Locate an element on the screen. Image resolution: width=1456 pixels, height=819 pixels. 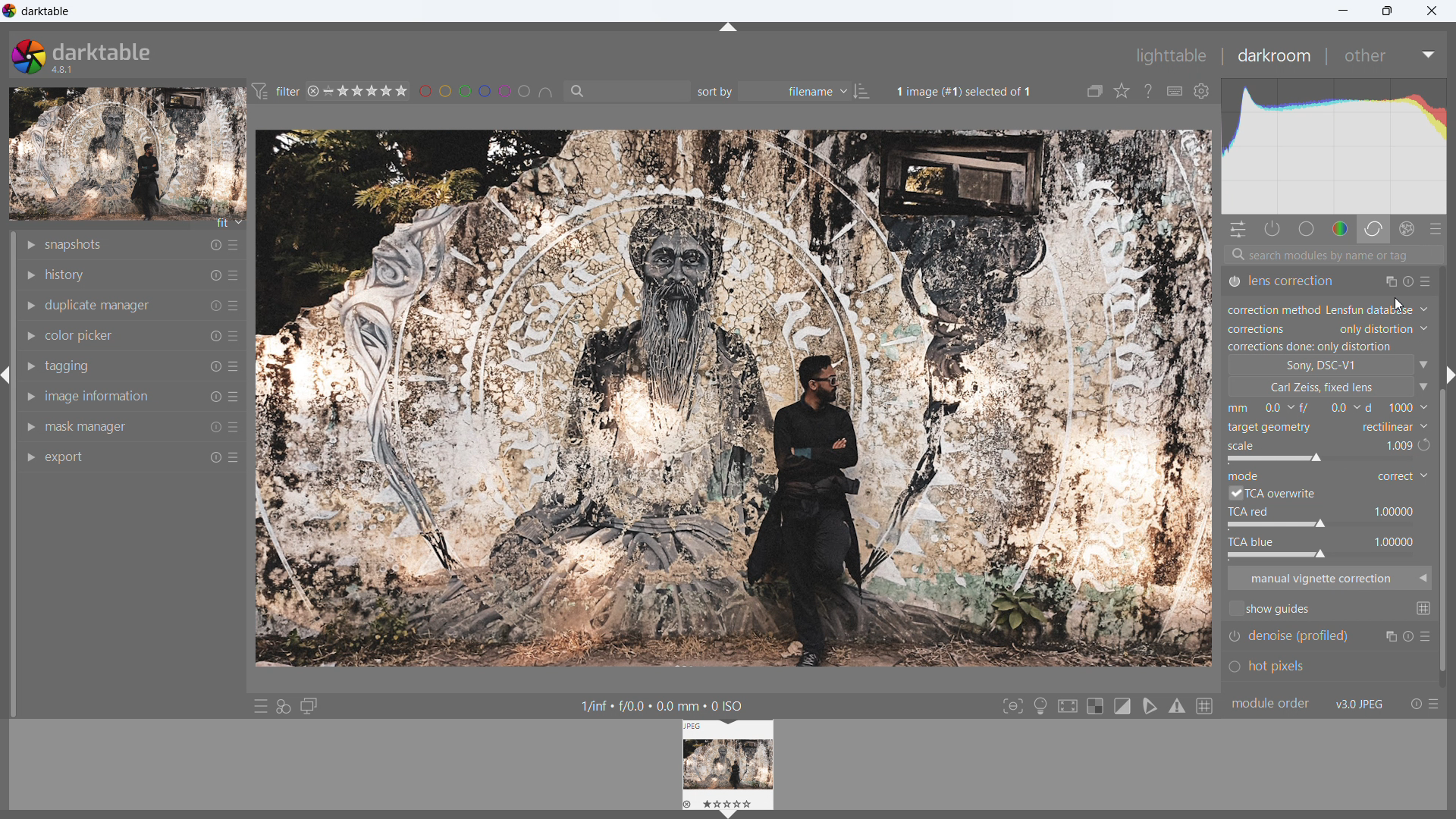
correction type is located at coordinates (1278, 328).